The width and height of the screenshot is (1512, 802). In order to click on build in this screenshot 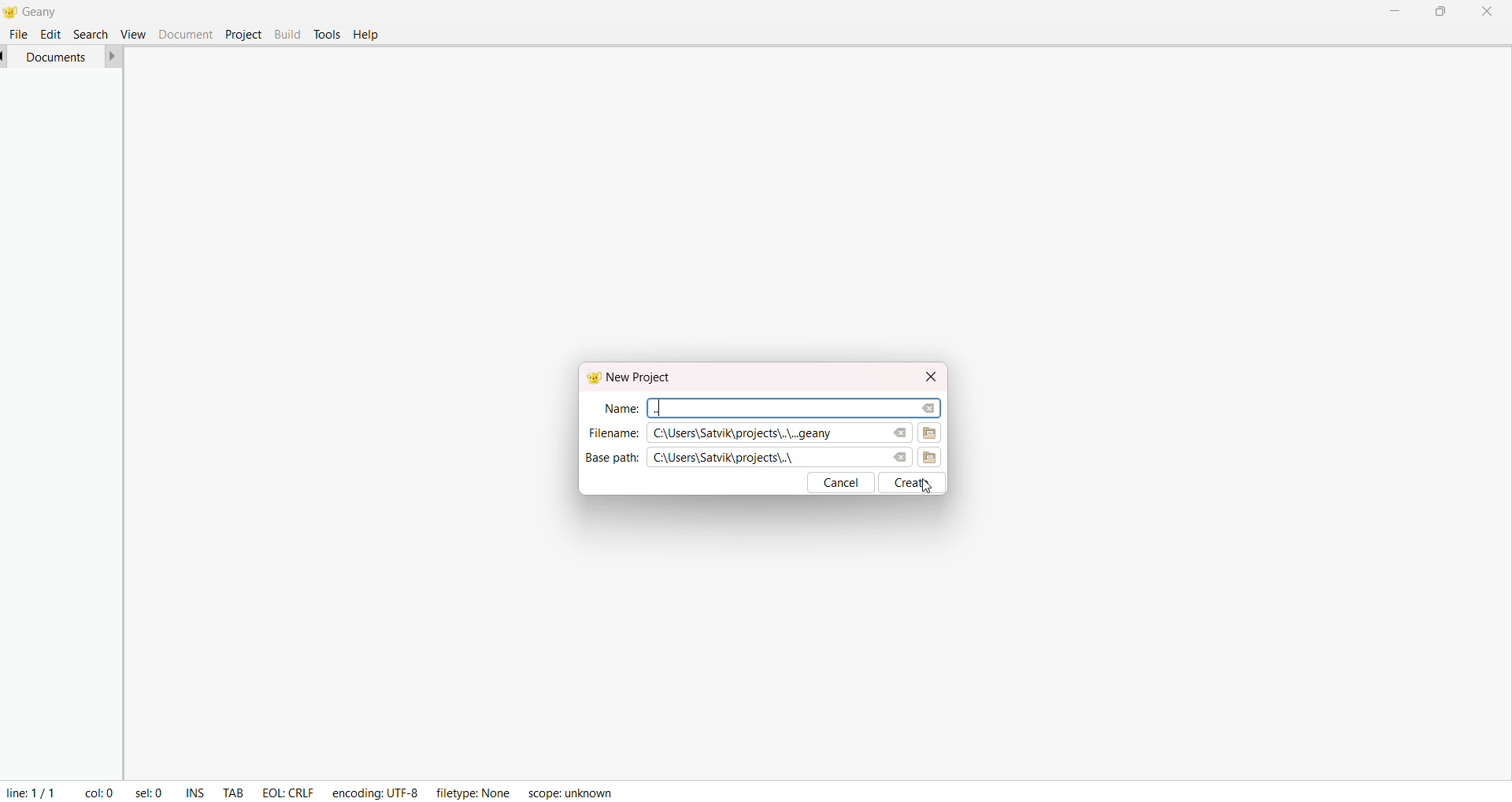, I will do `click(287, 32)`.